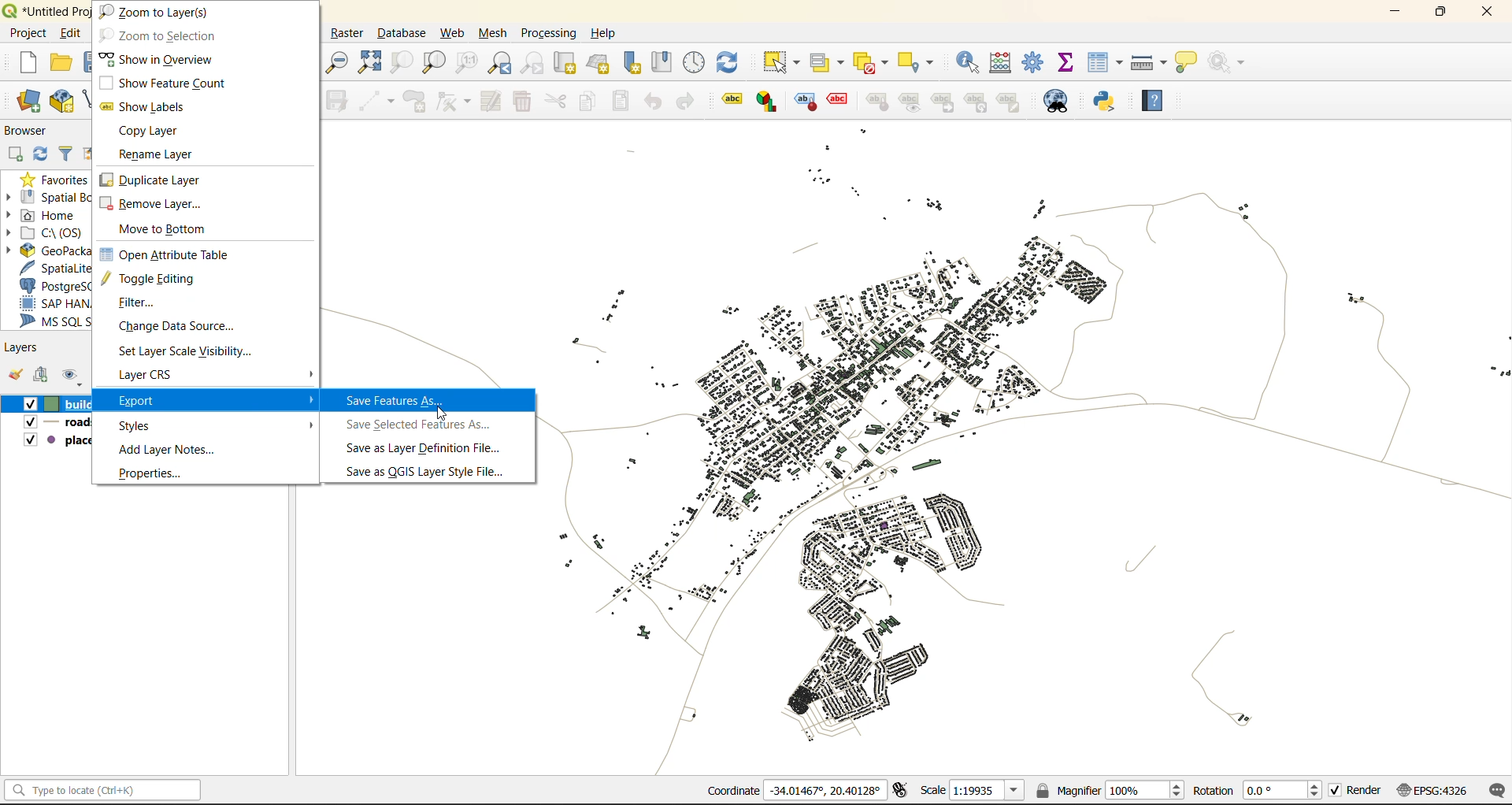 Image resolution: width=1512 pixels, height=805 pixels. What do you see at coordinates (1002, 65) in the screenshot?
I see `calculator` at bounding box center [1002, 65].